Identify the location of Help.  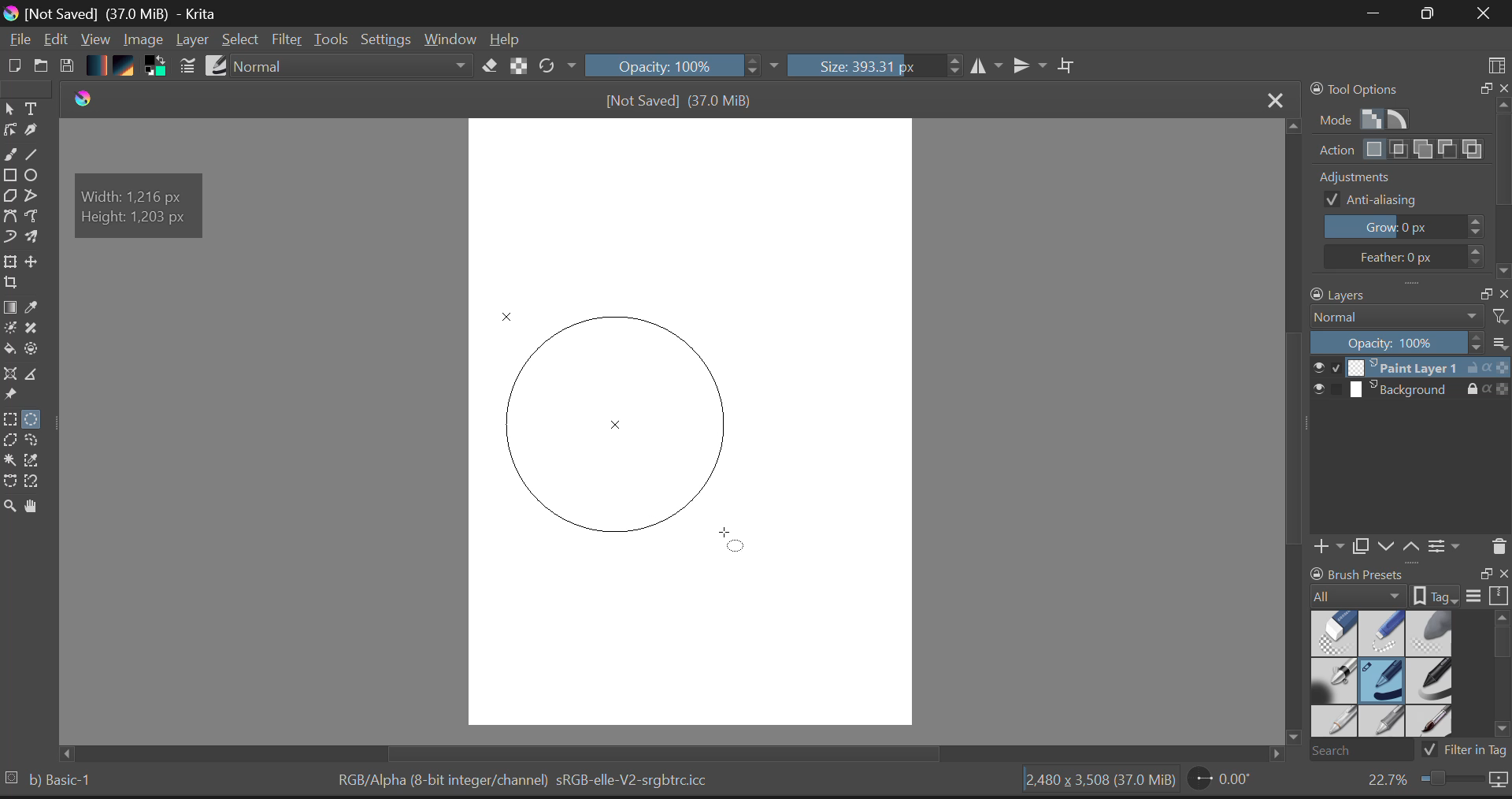
(506, 39).